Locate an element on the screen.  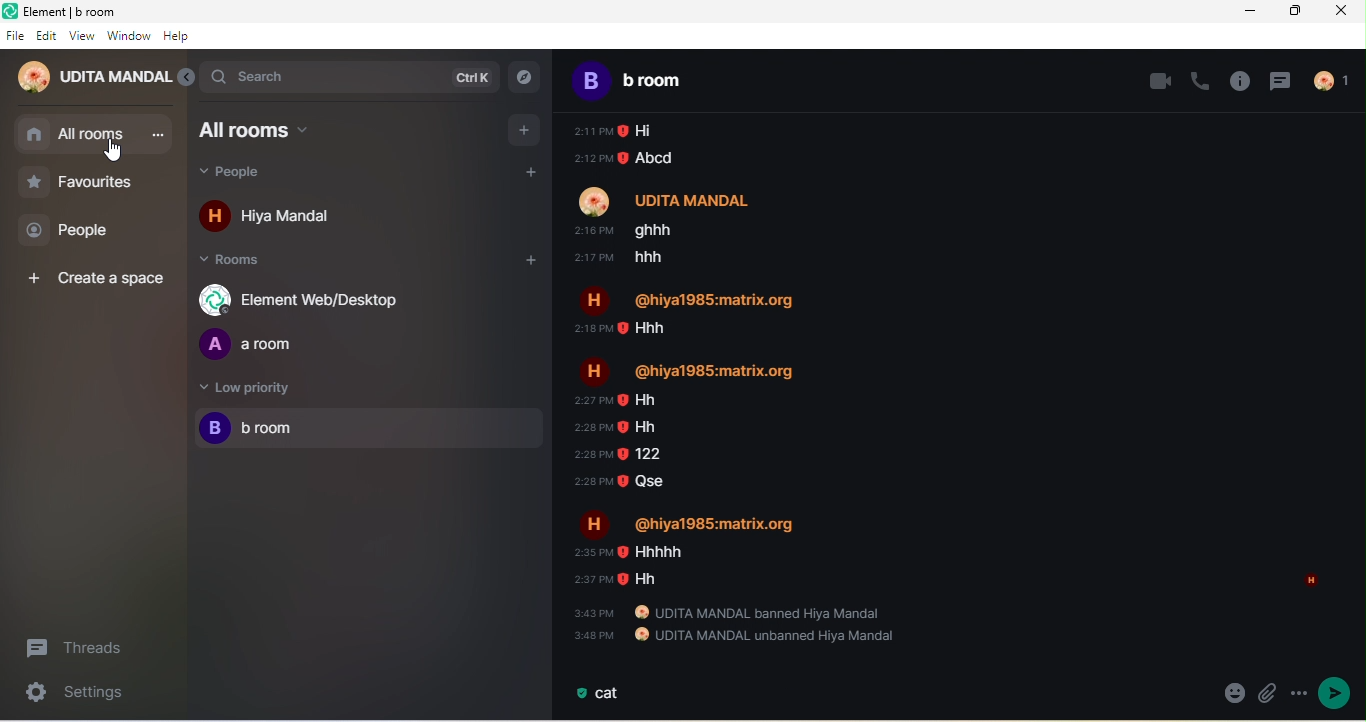
view is located at coordinates (82, 36).